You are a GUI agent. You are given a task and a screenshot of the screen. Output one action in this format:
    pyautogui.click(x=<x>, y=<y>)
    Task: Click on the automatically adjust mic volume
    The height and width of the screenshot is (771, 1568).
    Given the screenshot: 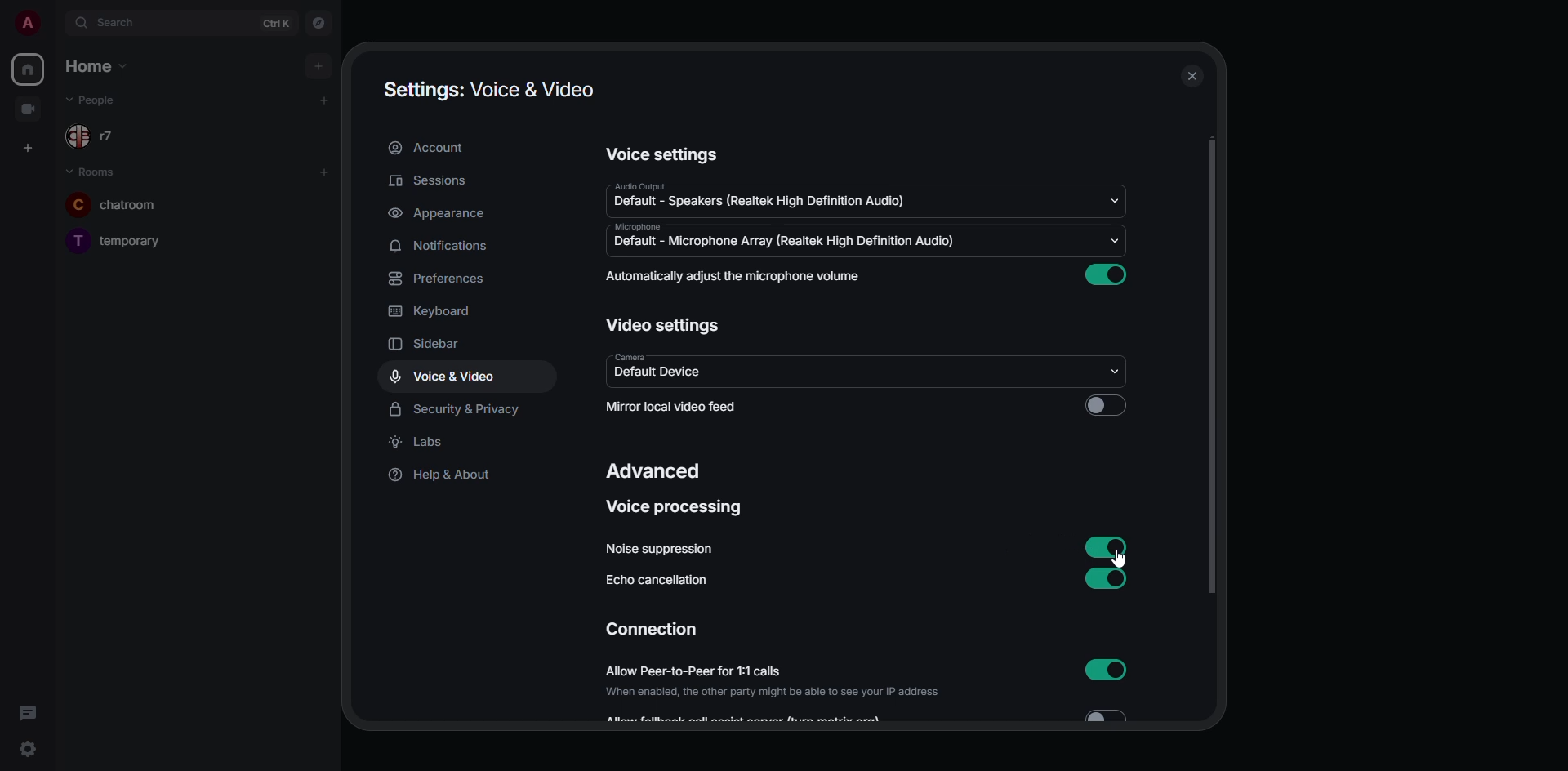 What is the action you would take?
    pyautogui.click(x=733, y=276)
    